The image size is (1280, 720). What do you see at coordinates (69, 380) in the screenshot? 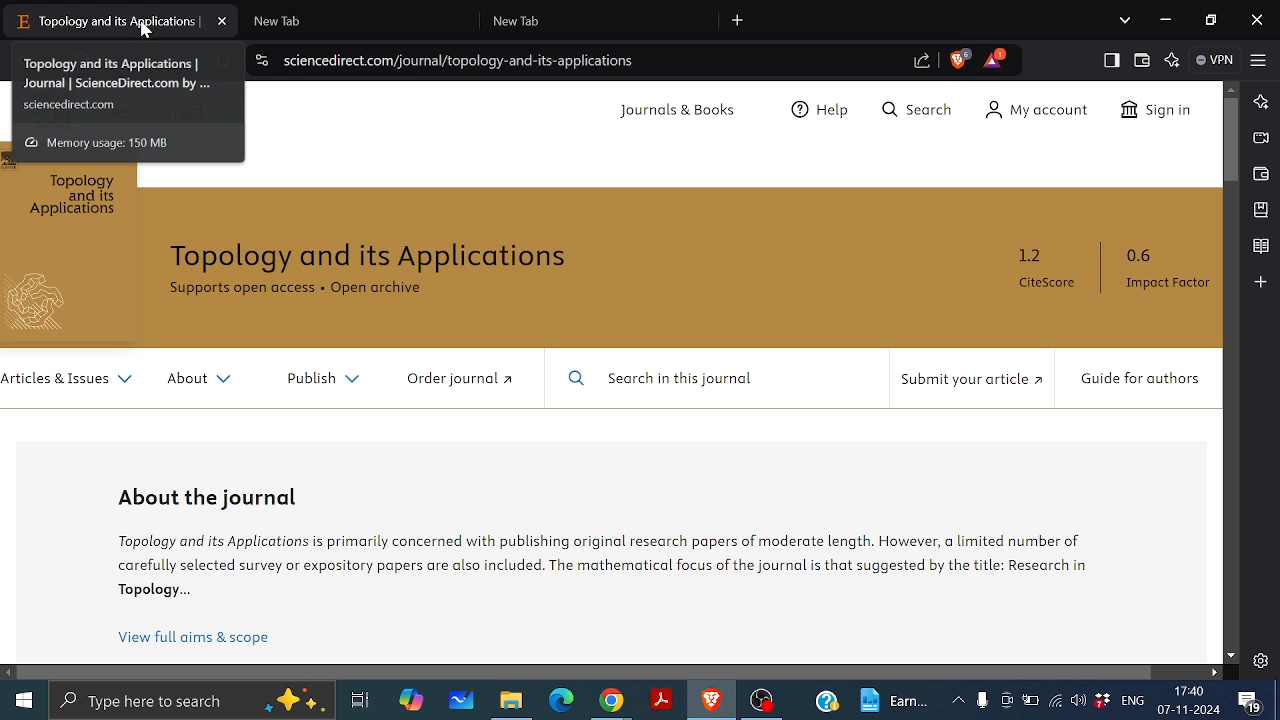
I see `Articles & Issues` at bounding box center [69, 380].